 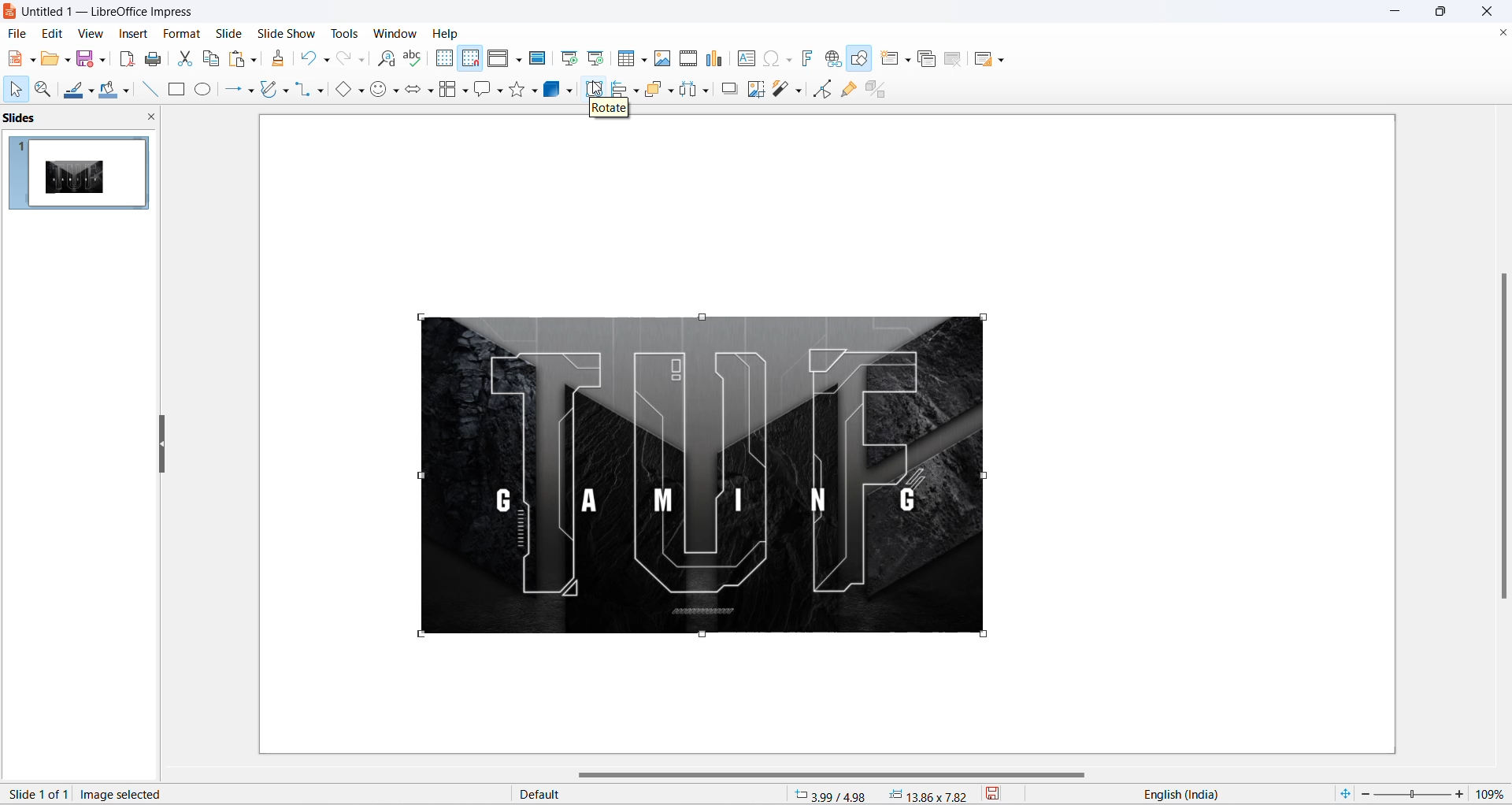 I want to click on new file options, so click(x=34, y=61).